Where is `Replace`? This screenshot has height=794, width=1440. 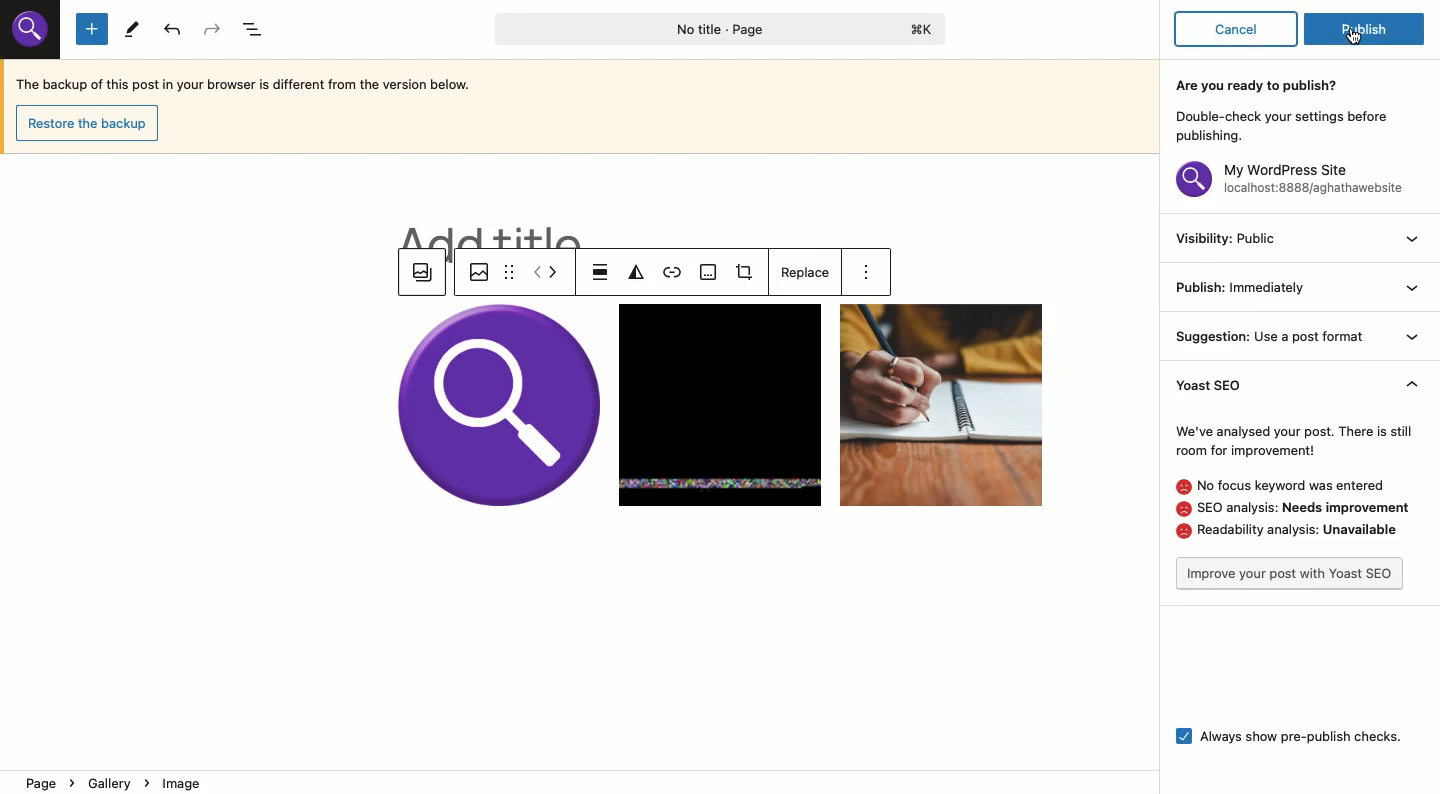 Replace is located at coordinates (802, 272).